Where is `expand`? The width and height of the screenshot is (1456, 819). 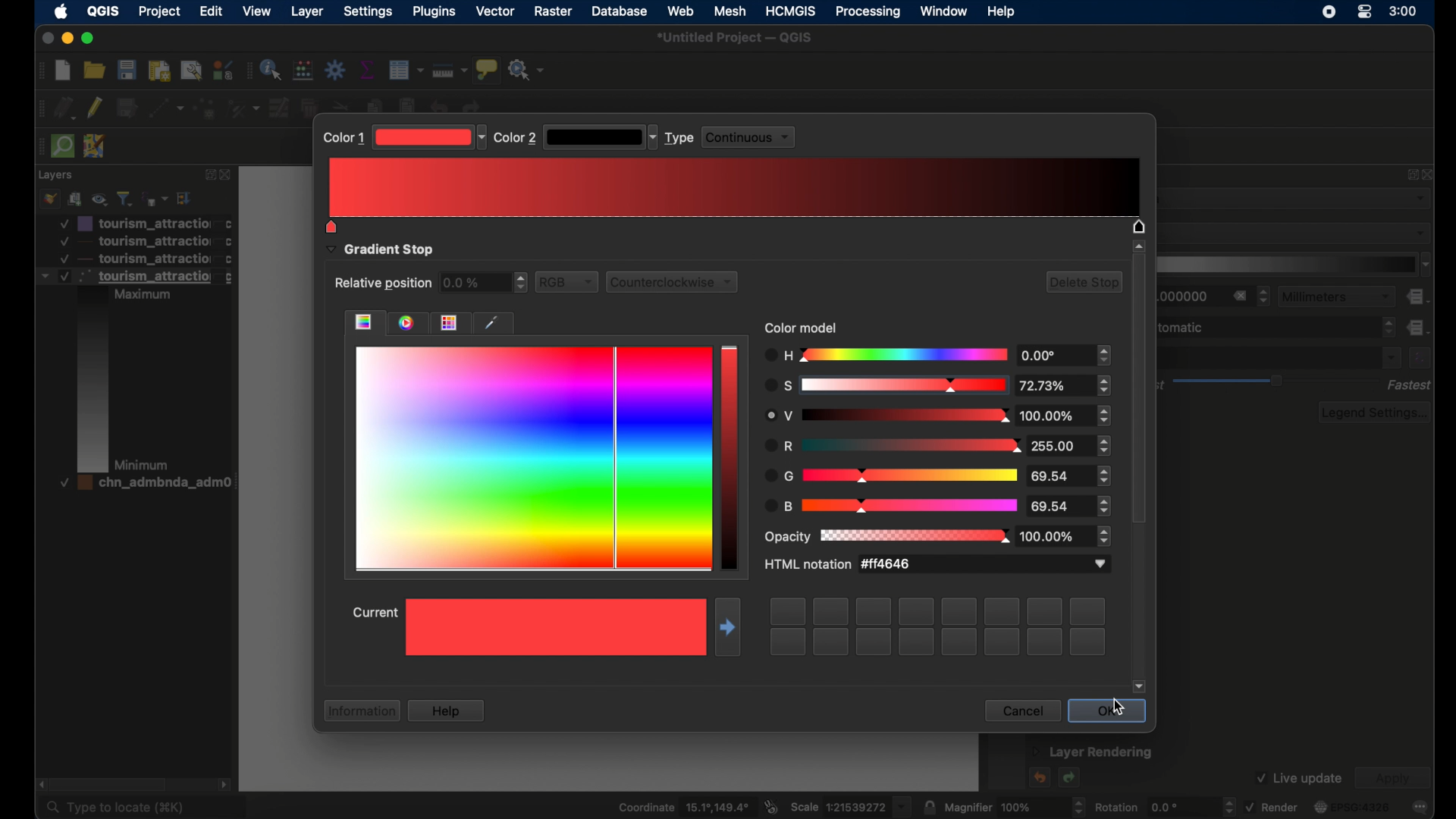 expand is located at coordinates (207, 175).